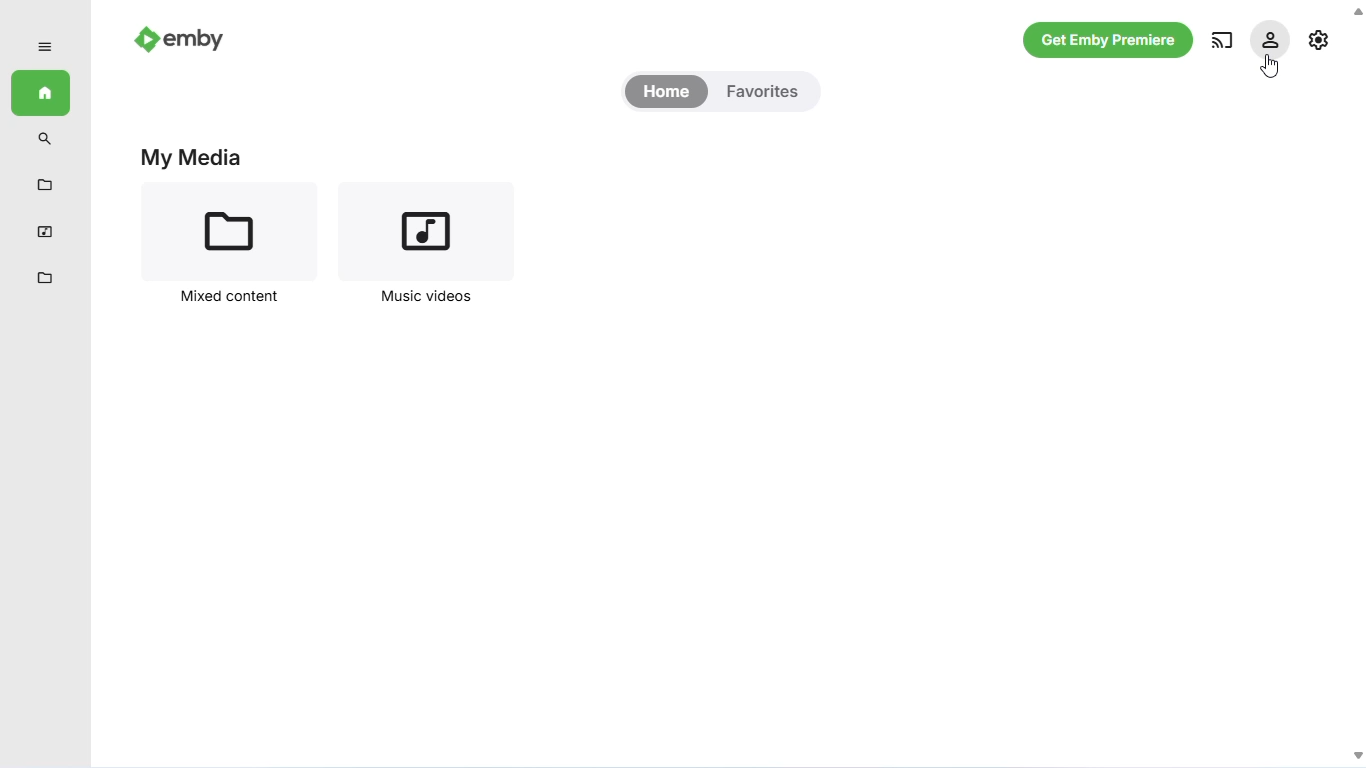 Image resolution: width=1366 pixels, height=768 pixels. Describe the element at coordinates (232, 245) in the screenshot. I see `mixed content` at that location.